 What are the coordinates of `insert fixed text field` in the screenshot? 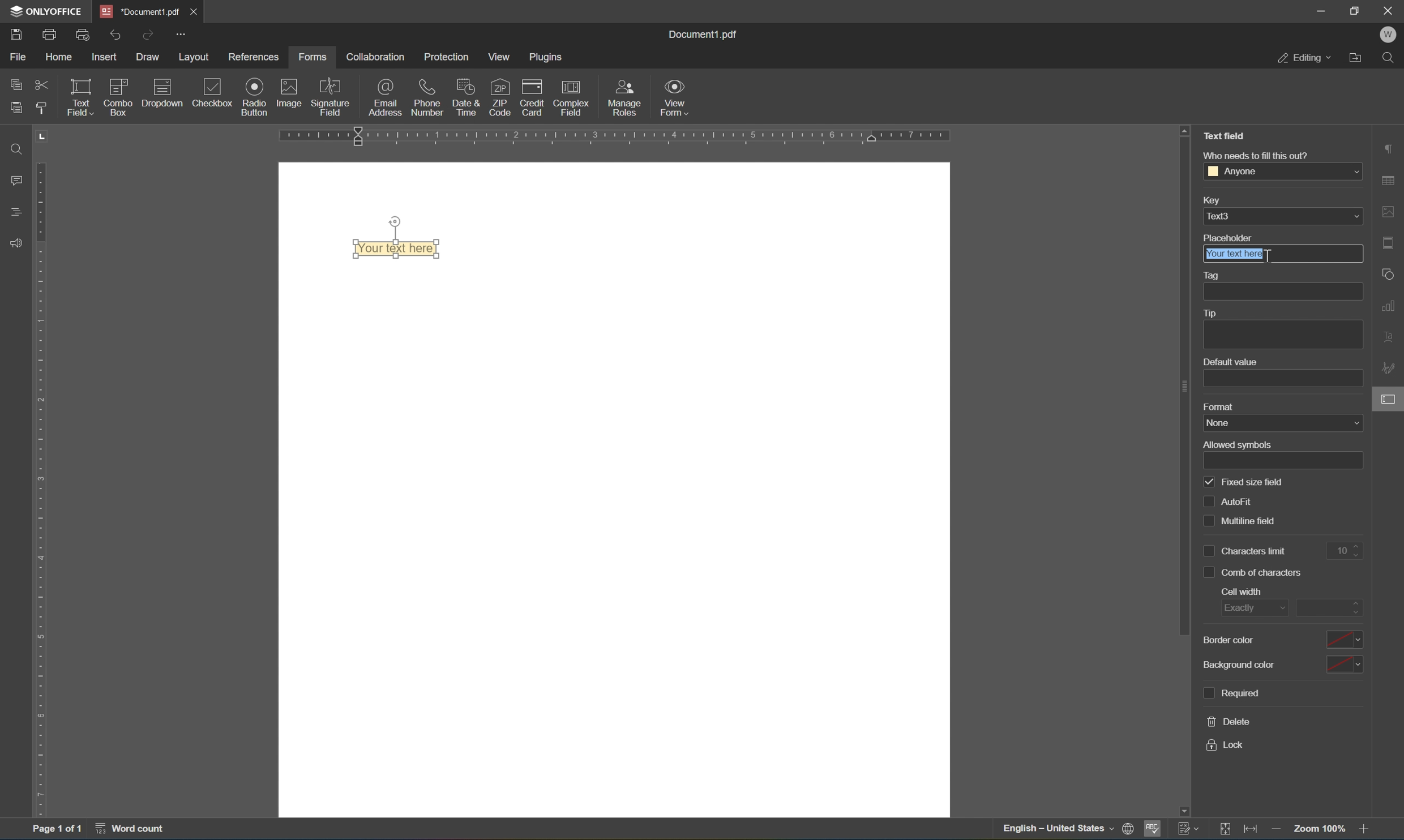 It's located at (143, 113).